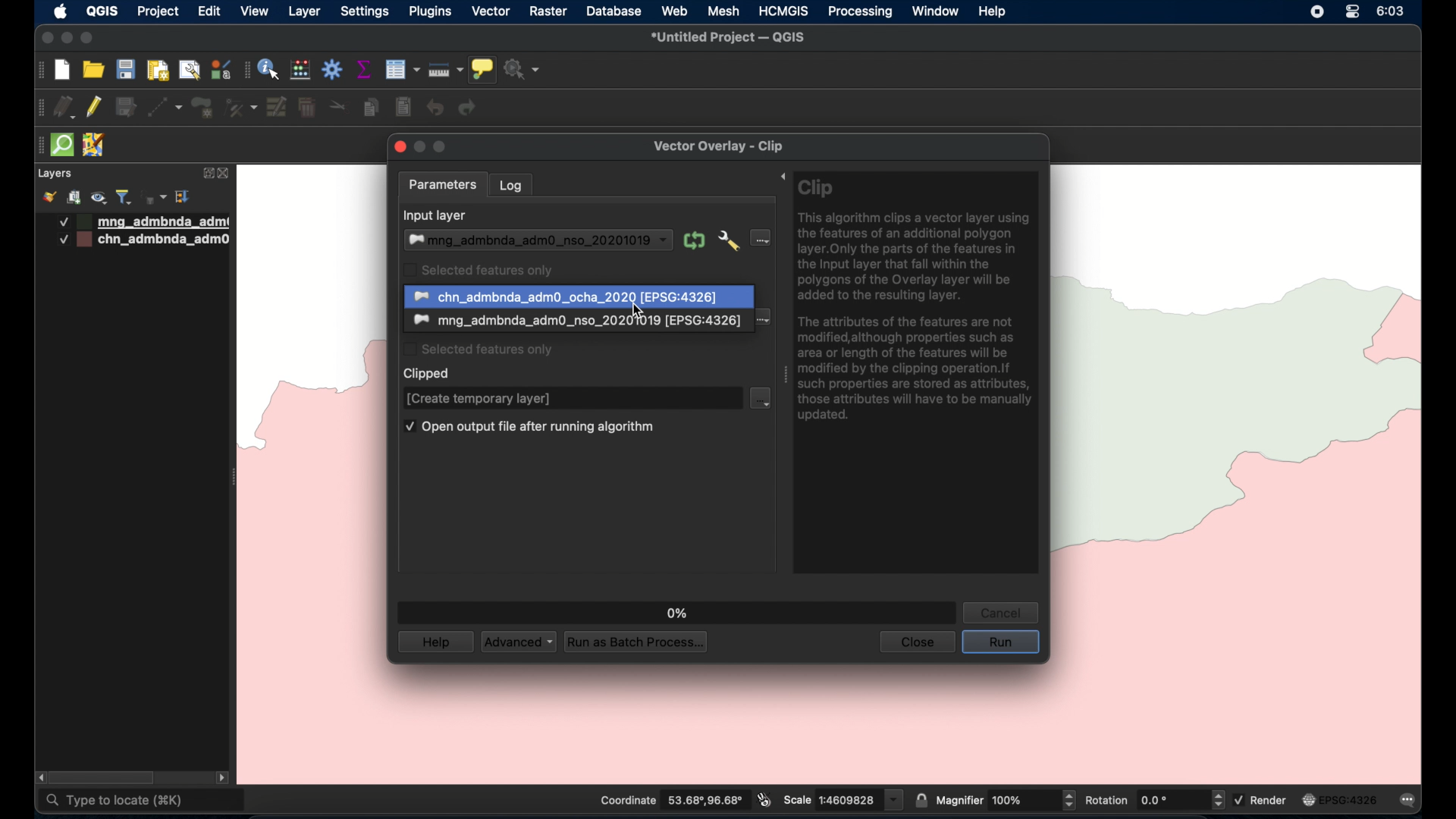  Describe the element at coordinates (54, 174) in the screenshot. I see `layers ` at that location.